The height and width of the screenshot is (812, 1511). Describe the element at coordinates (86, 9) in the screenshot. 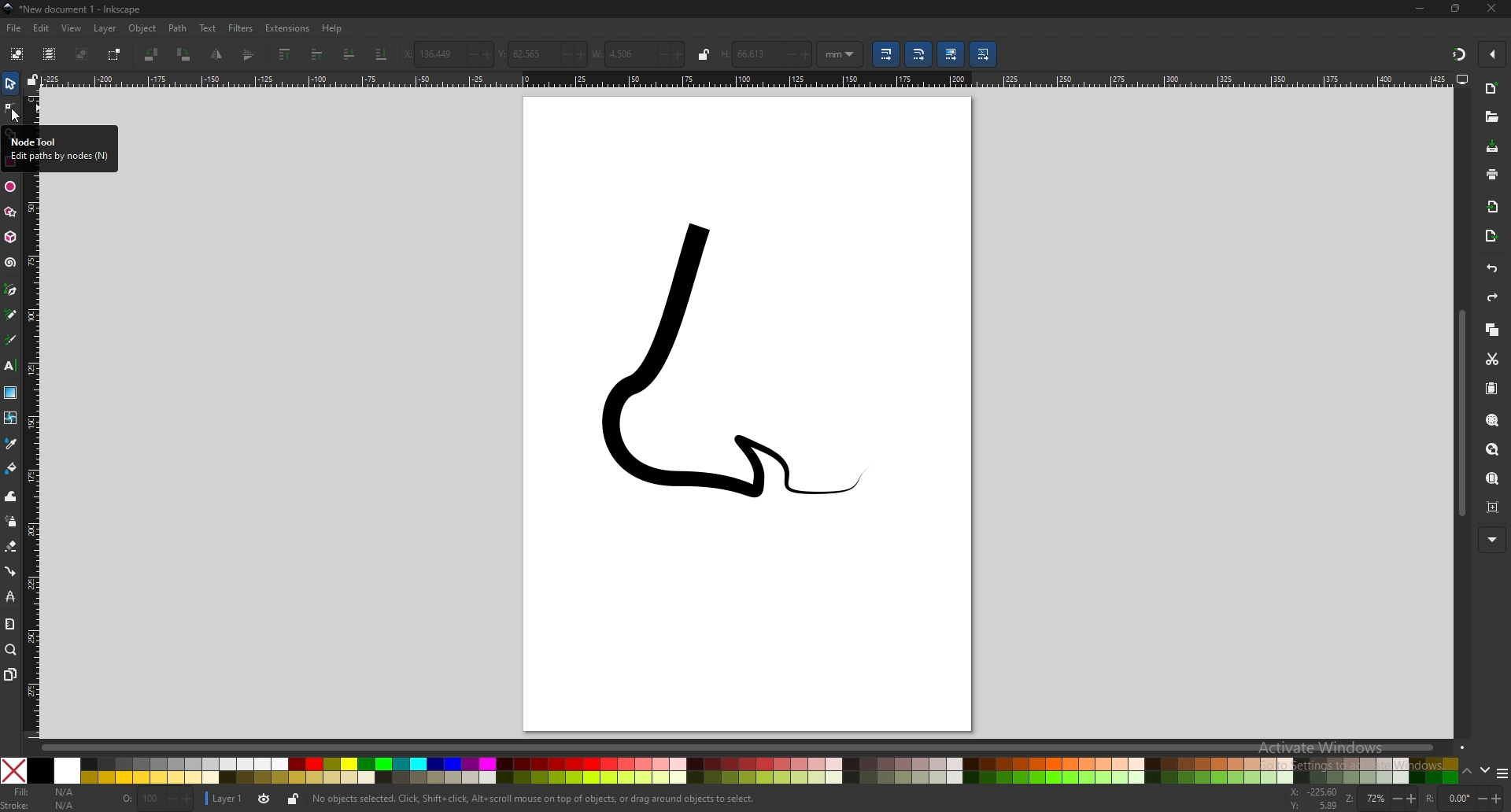

I see `title` at that location.